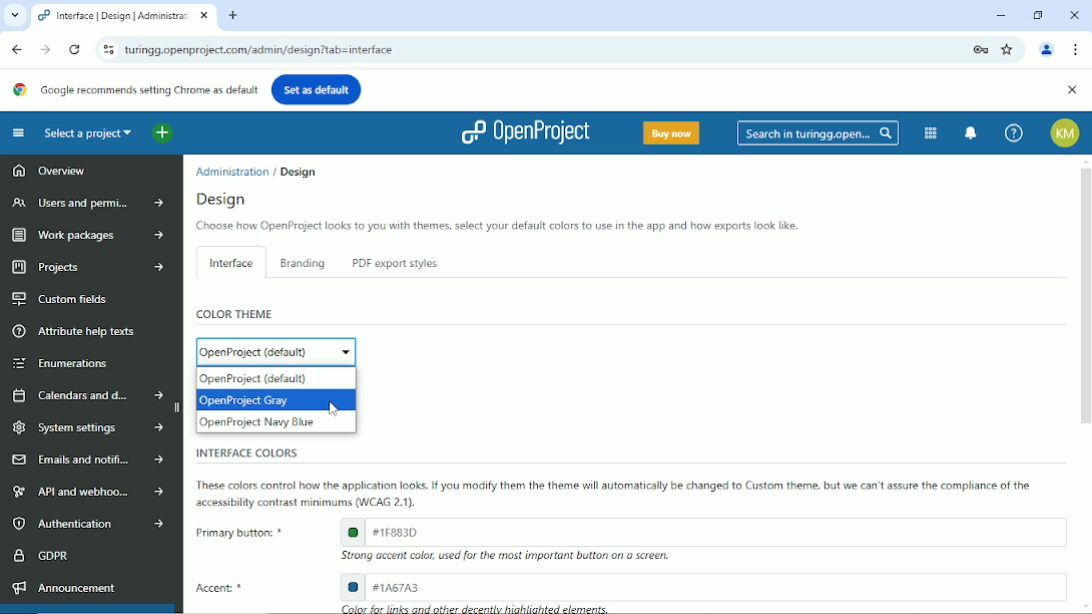 This screenshot has width=1092, height=614. I want to click on close current window, so click(204, 16).